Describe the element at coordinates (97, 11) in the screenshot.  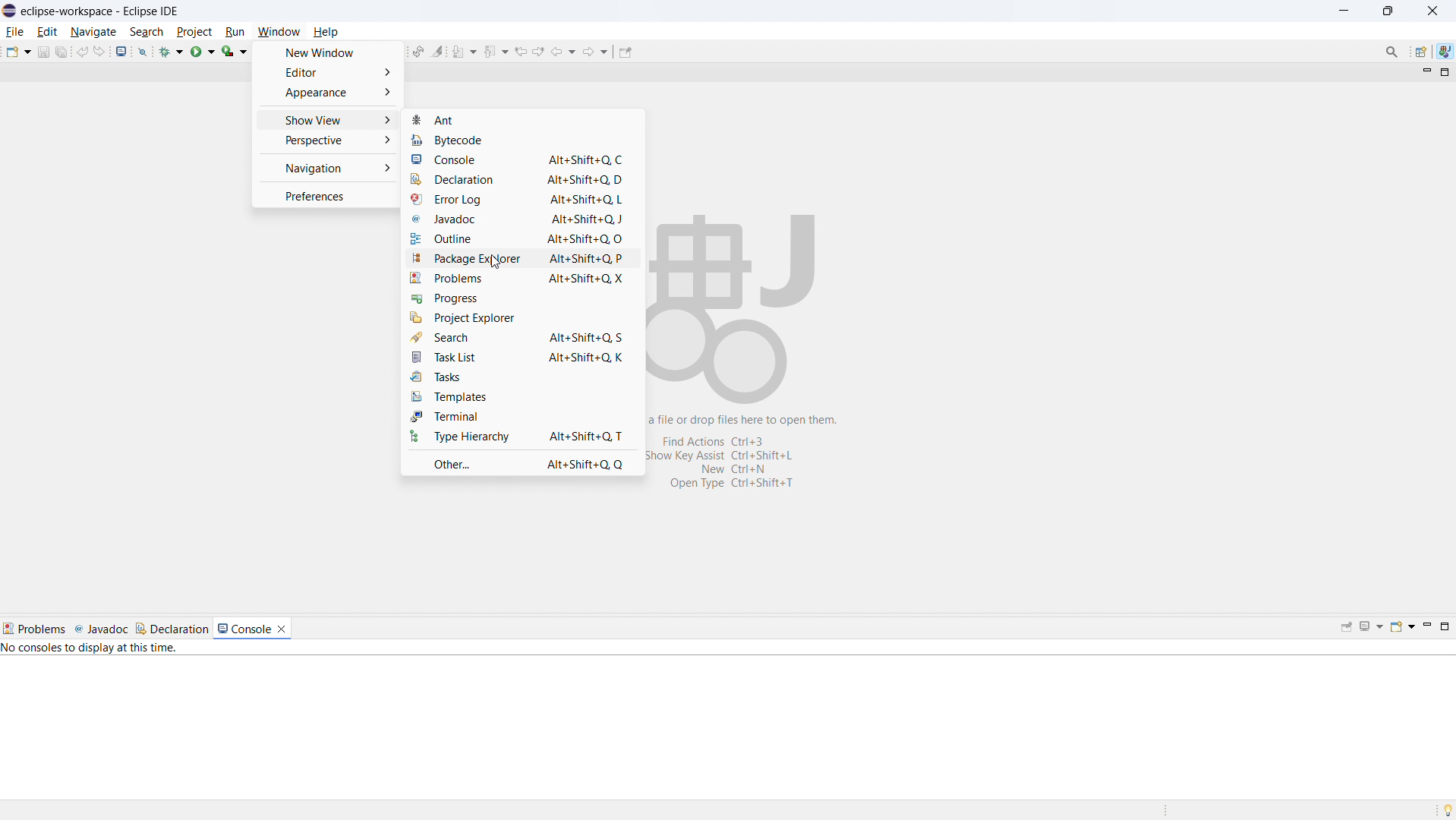
I see `eclipse-workspace-Eclipse IDE` at that location.